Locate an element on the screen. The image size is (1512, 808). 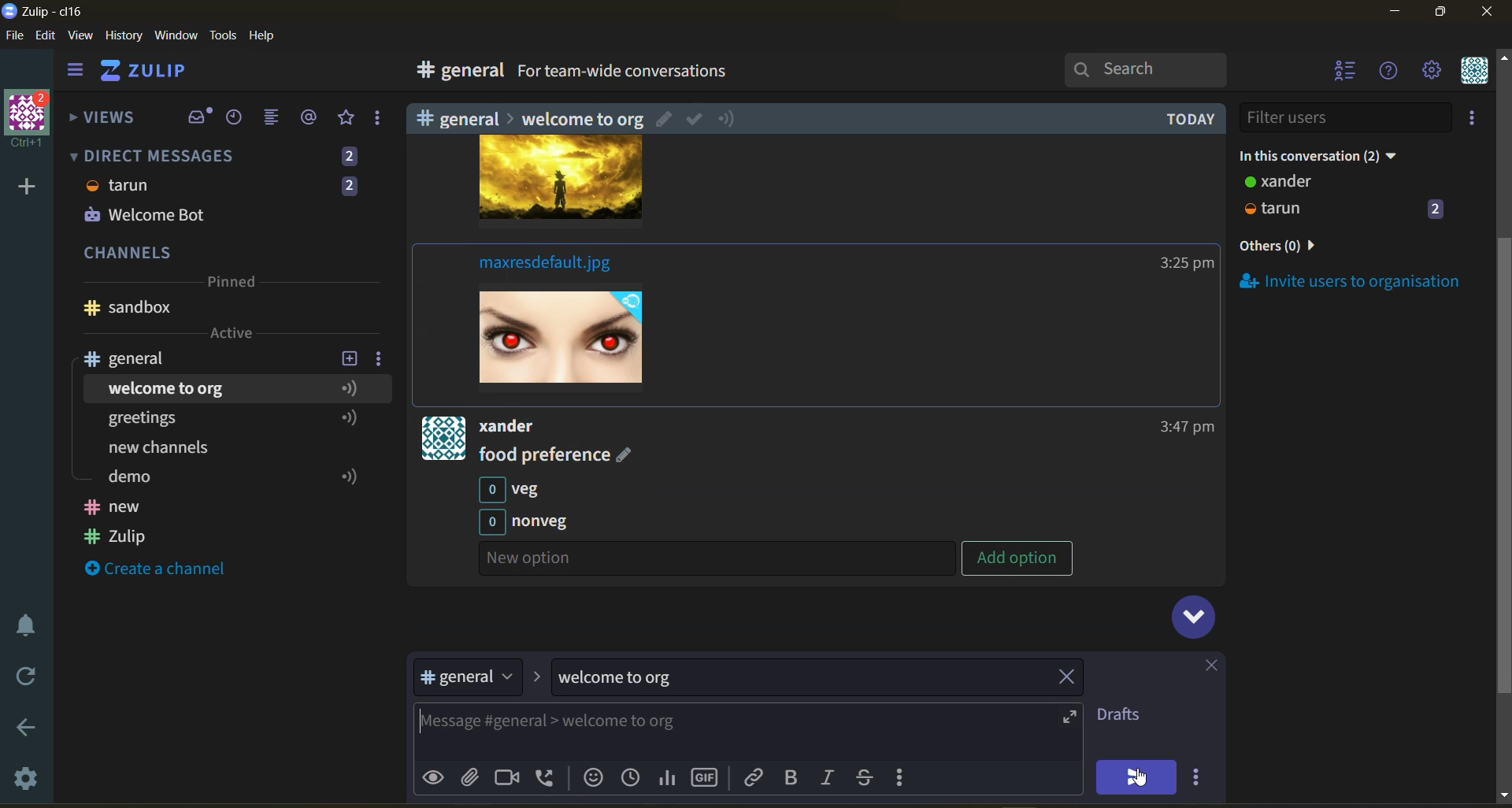
 is located at coordinates (552, 261).